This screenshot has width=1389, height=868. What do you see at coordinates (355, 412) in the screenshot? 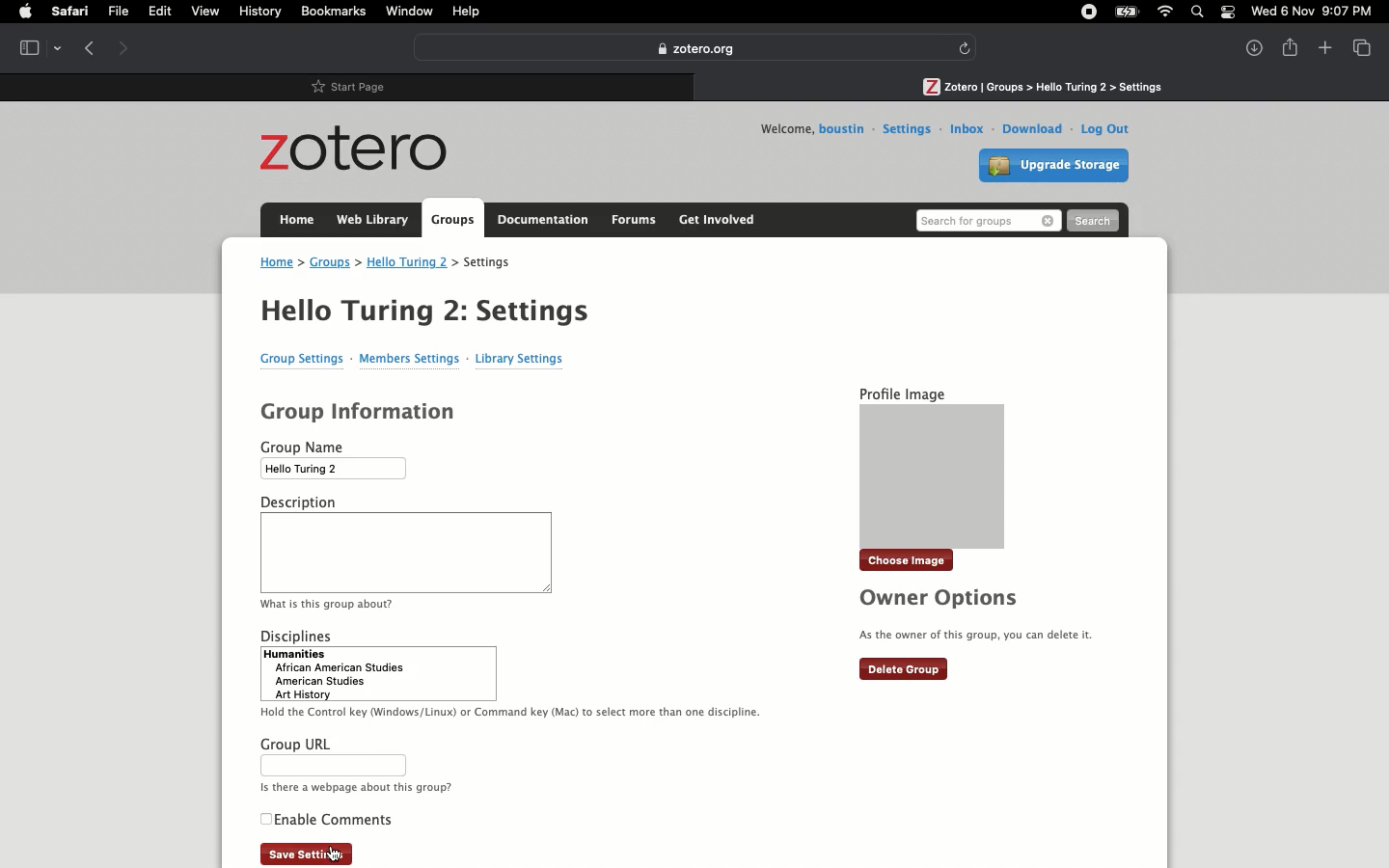
I see `Group information` at bounding box center [355, 412].